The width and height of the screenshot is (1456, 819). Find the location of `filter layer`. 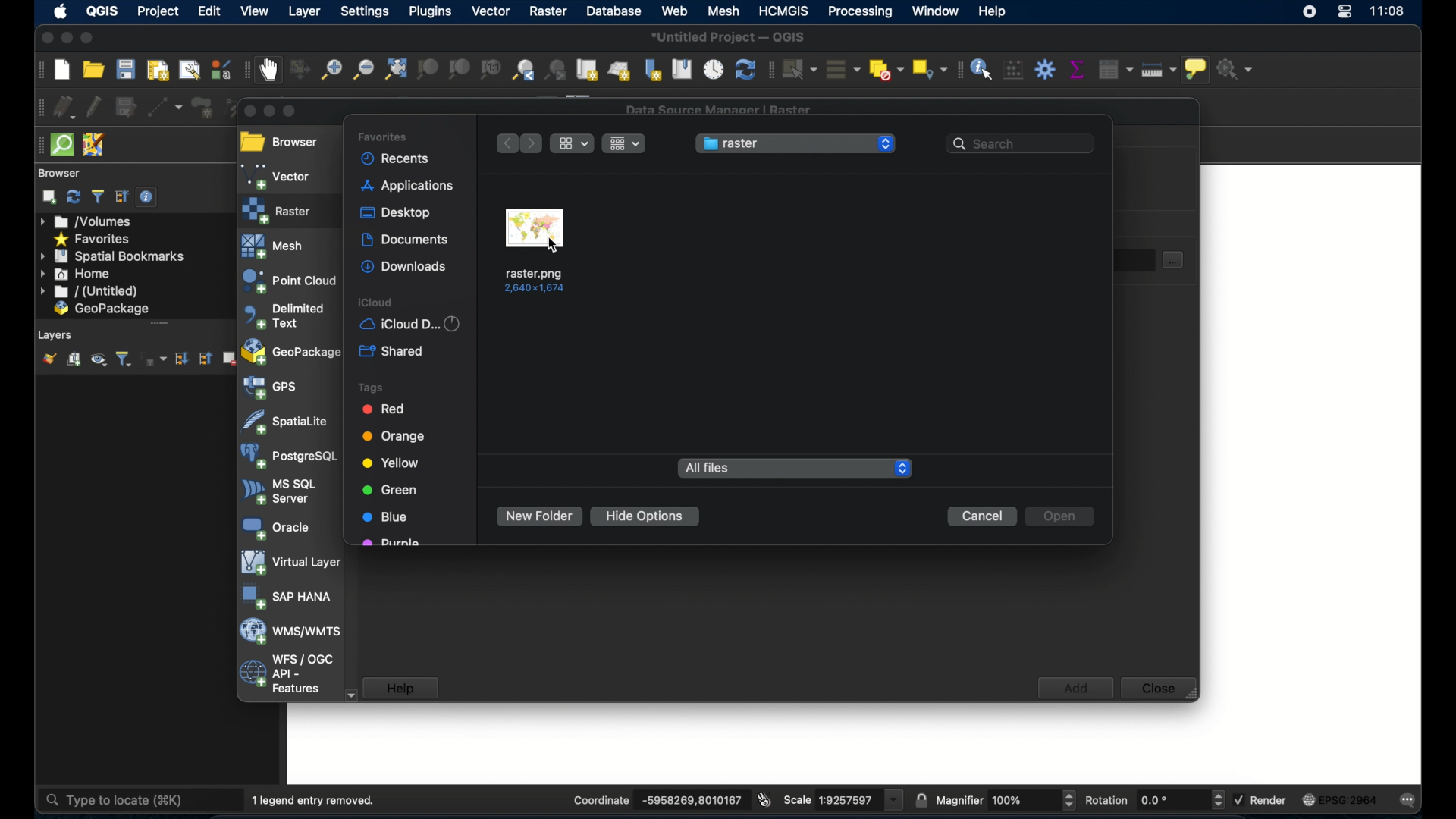

filter layer is located at coordinates (124, 359).